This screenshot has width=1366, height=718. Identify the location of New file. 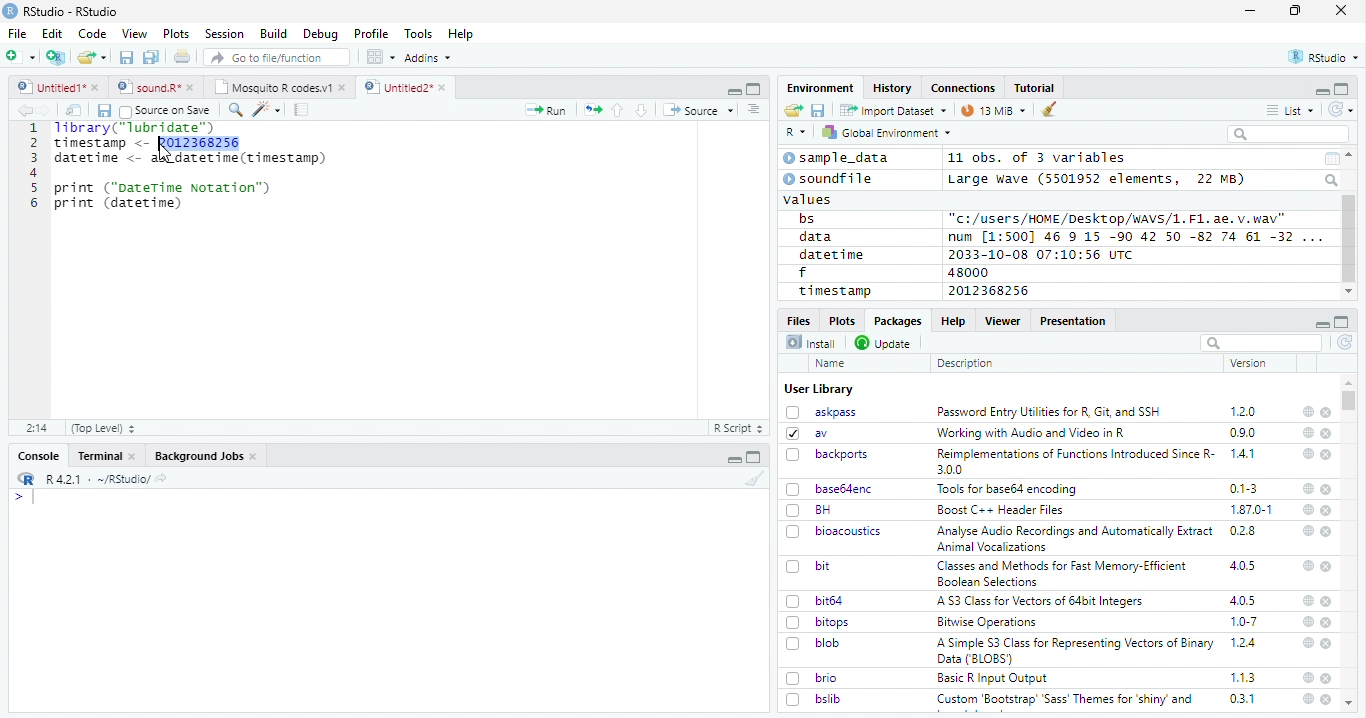
(22, 57).